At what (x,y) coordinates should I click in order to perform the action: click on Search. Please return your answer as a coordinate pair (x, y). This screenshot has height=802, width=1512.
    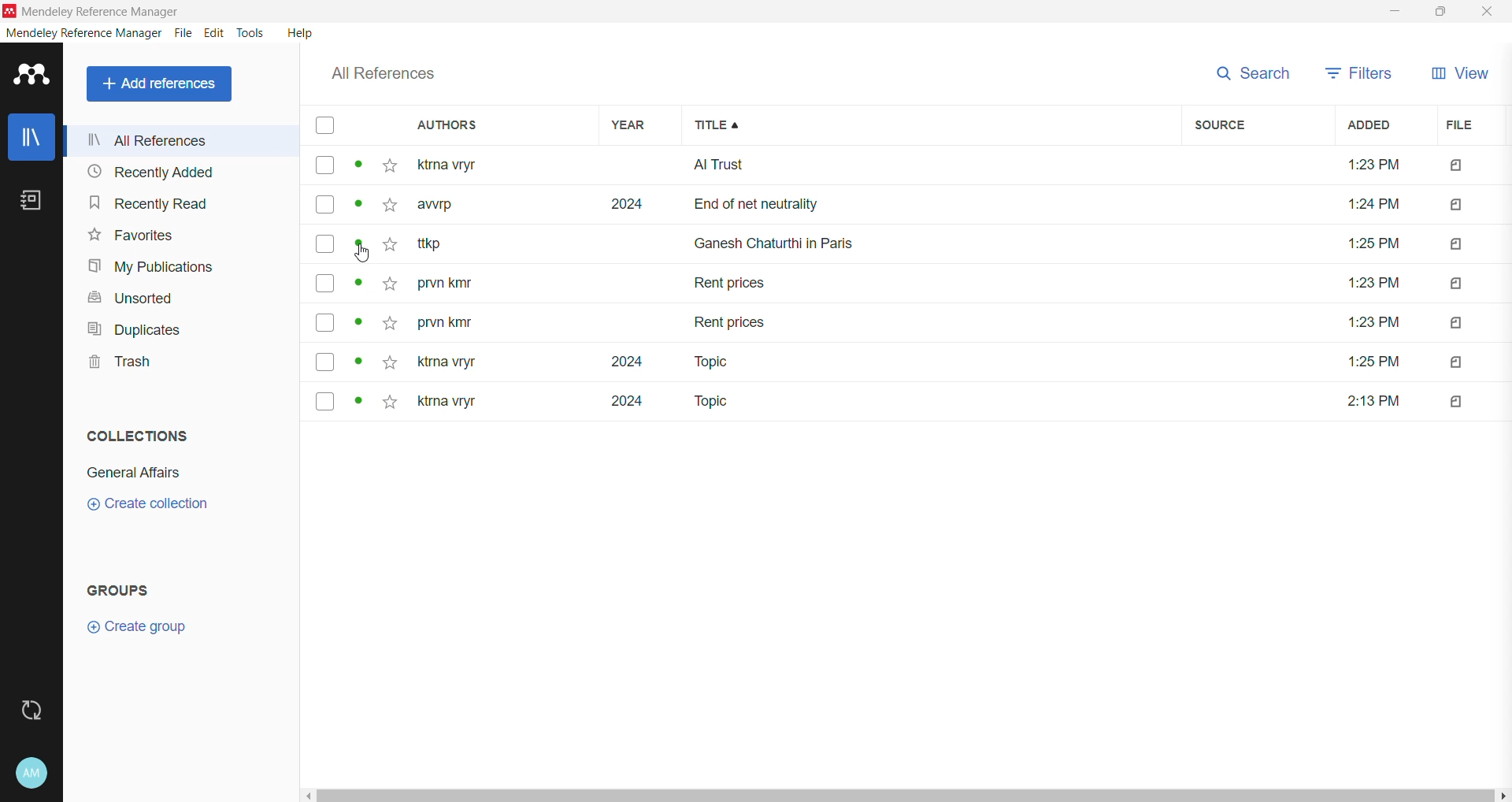
    Looking at the image, I should click on (1258, 72).